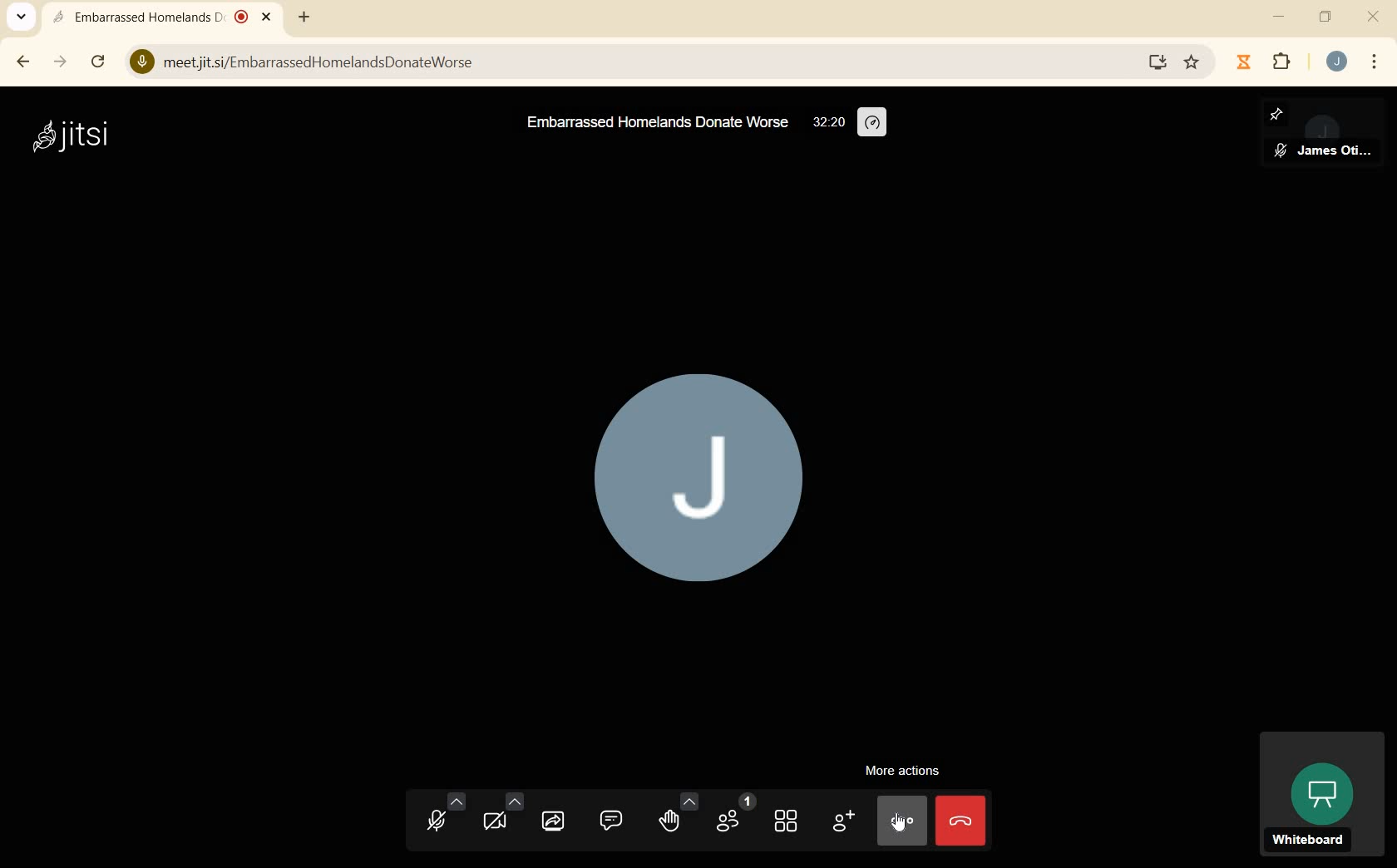 This screenshot has height=868, width=1397. What do you see at coordinates (1337, 63) in the screenshot?
I see `account` at bounding box center [1337, 63].